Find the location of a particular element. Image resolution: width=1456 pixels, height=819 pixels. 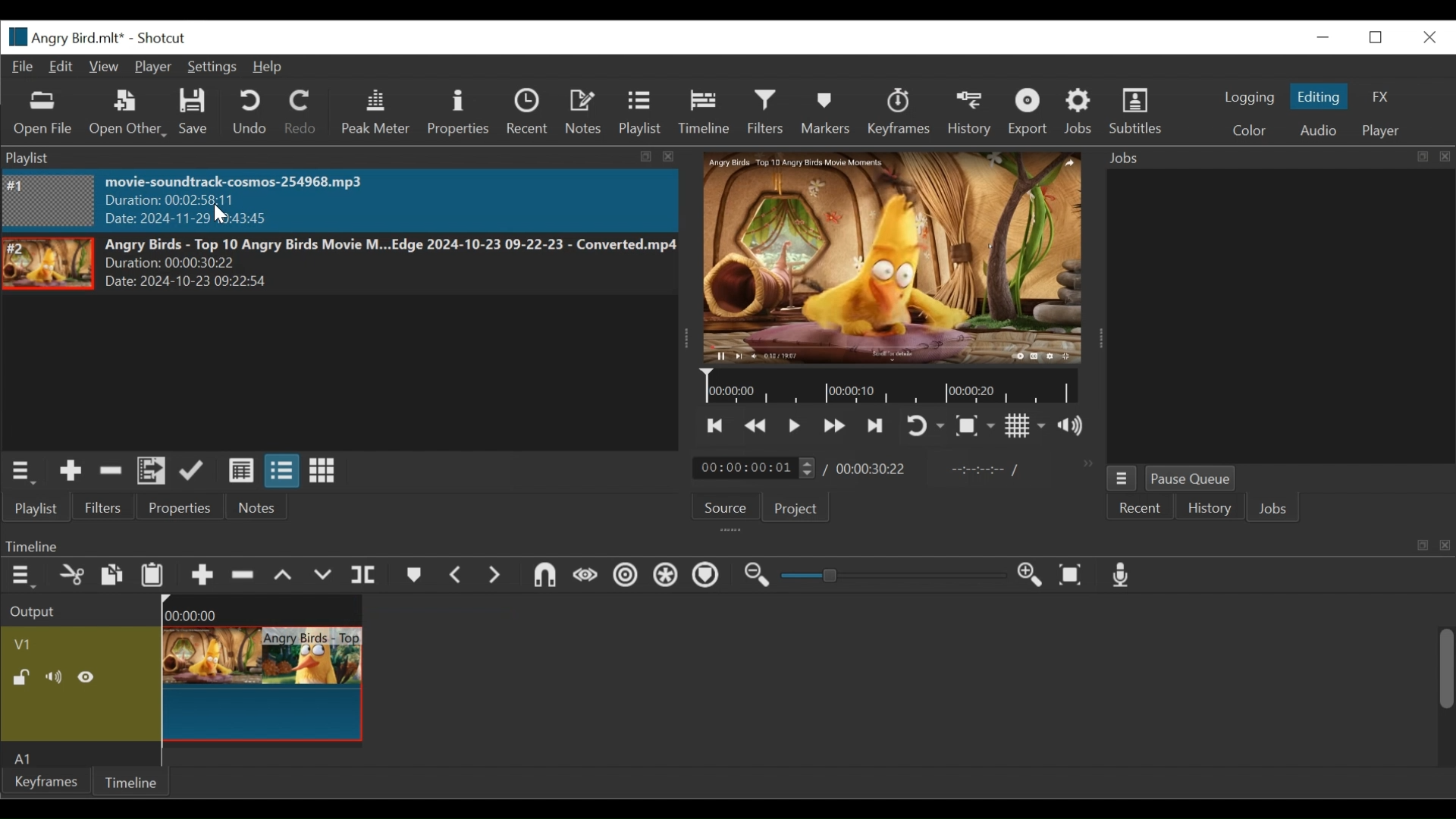

Cut is located at coordinates (71, 576).